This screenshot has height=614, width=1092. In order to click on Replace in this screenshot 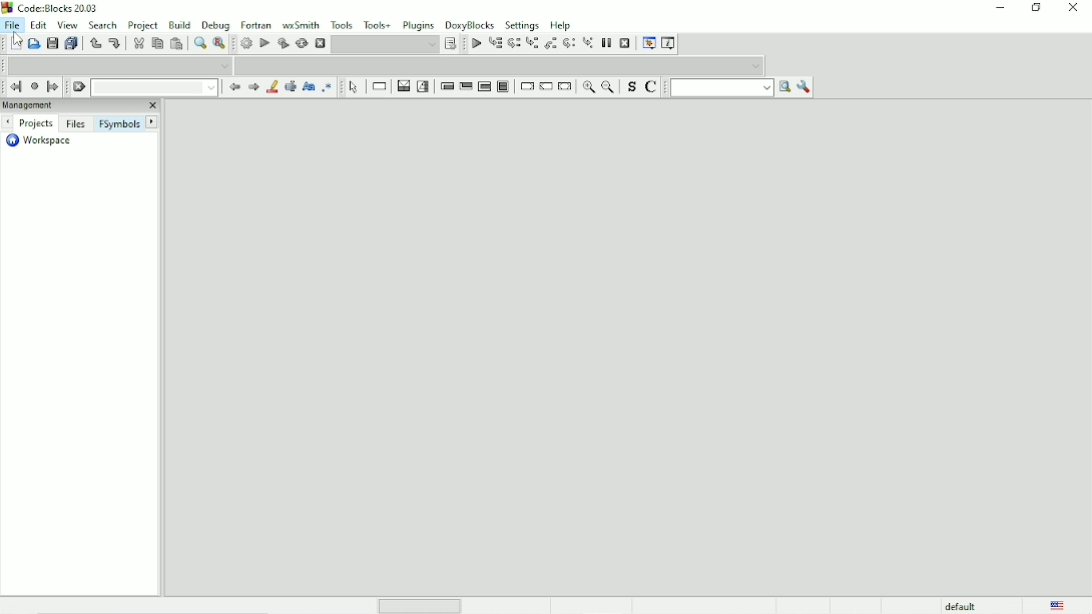, I will do `click(219, 44)`.